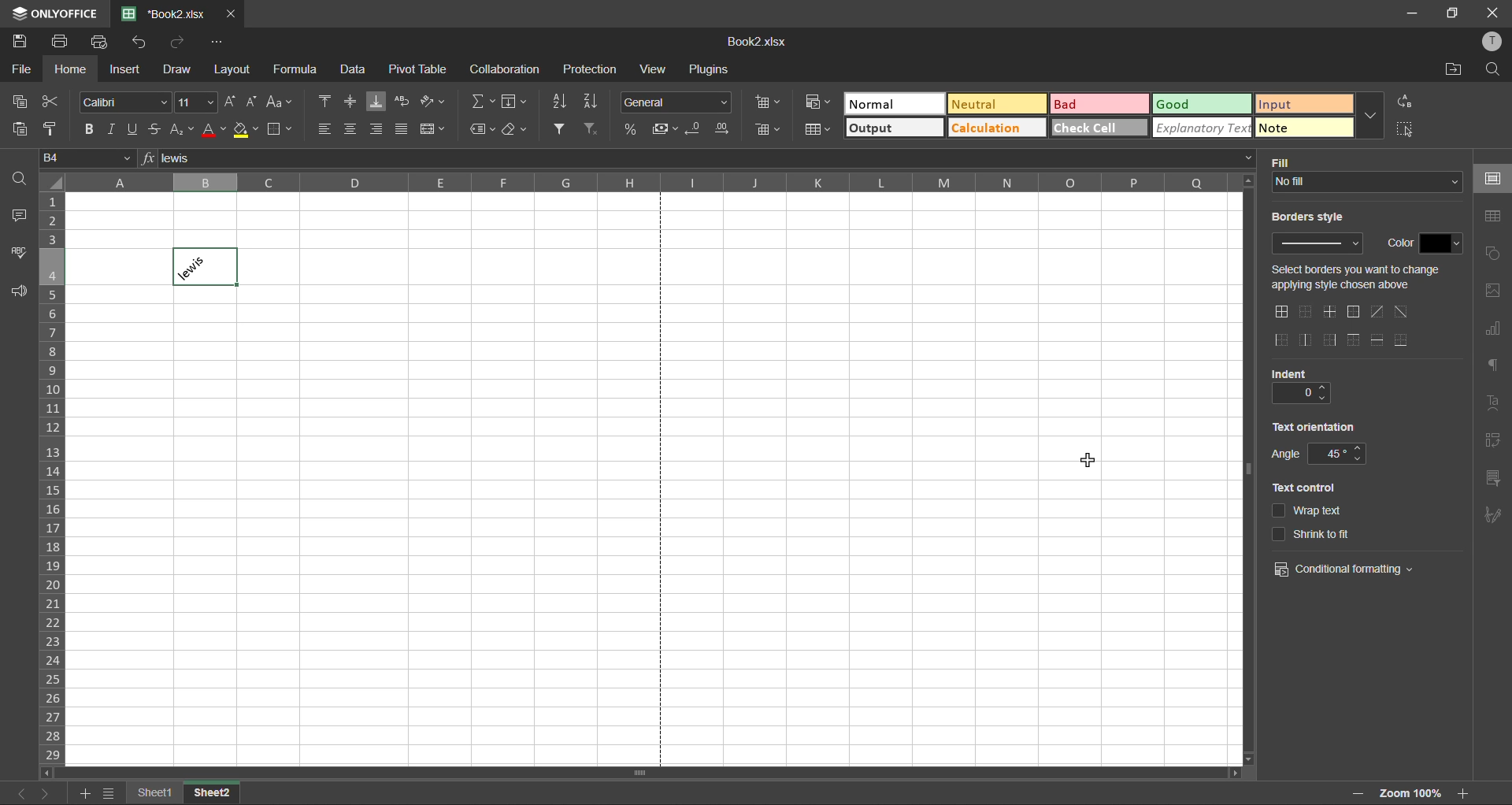  Describe the element at coordinates (658, 69) in the screenshot. I see `view` at that location.